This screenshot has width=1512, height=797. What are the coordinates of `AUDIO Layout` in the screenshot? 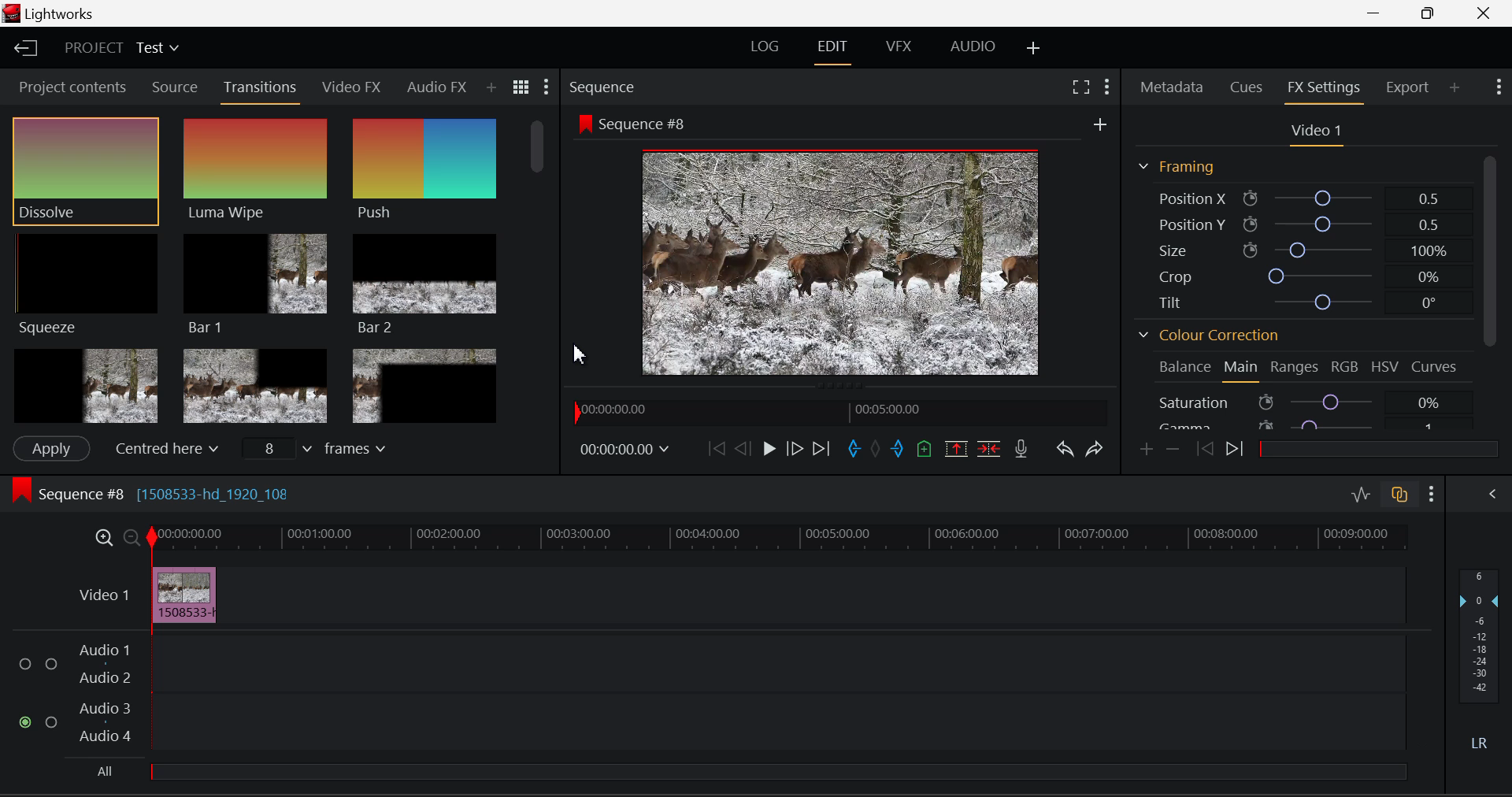 It's located at (973, 47).